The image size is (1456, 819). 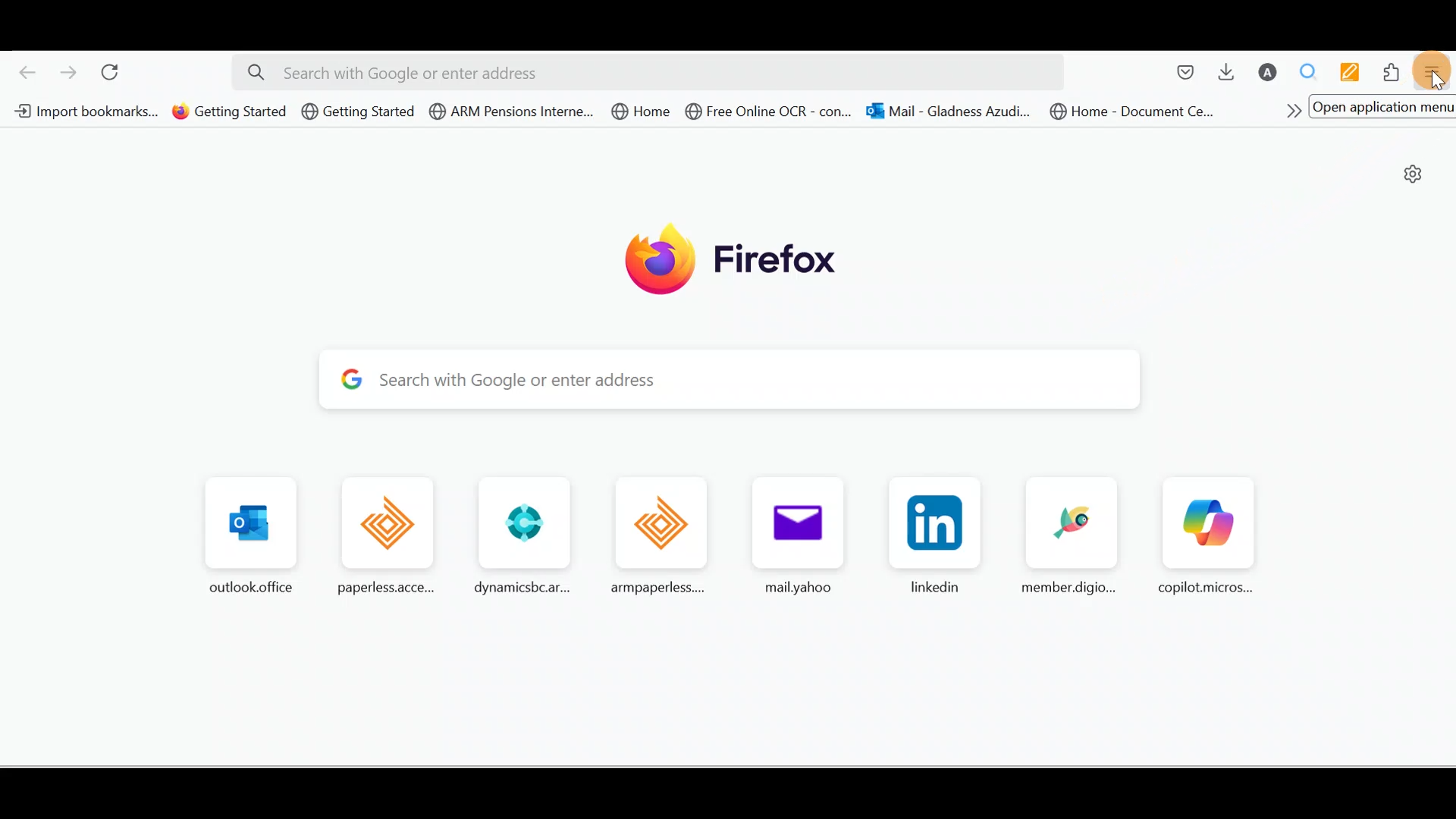 I want to click on Open application menu, so click(x=1436, y=72).